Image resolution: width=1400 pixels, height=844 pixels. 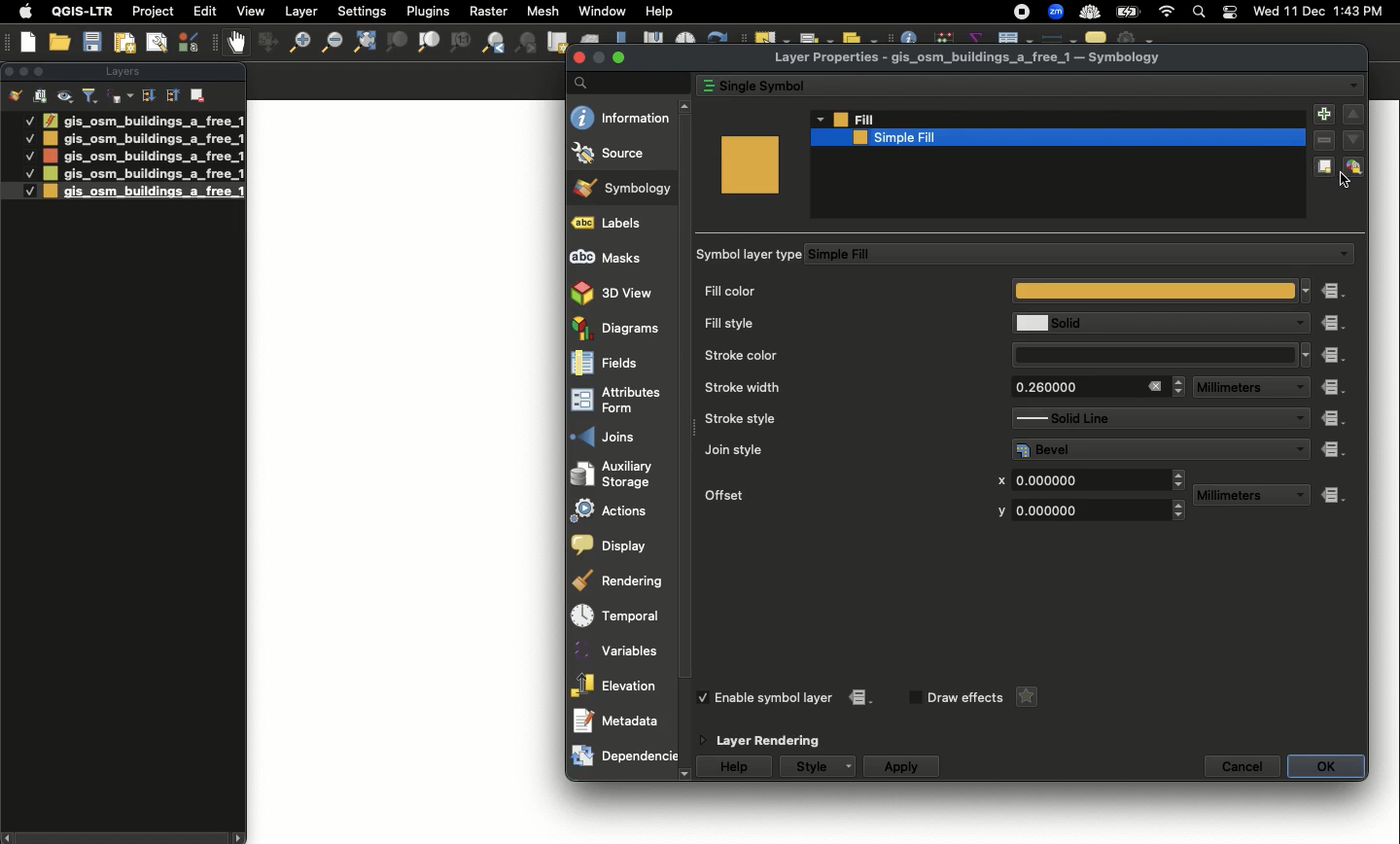 I want to click on Search, so click(x=627, y=82).